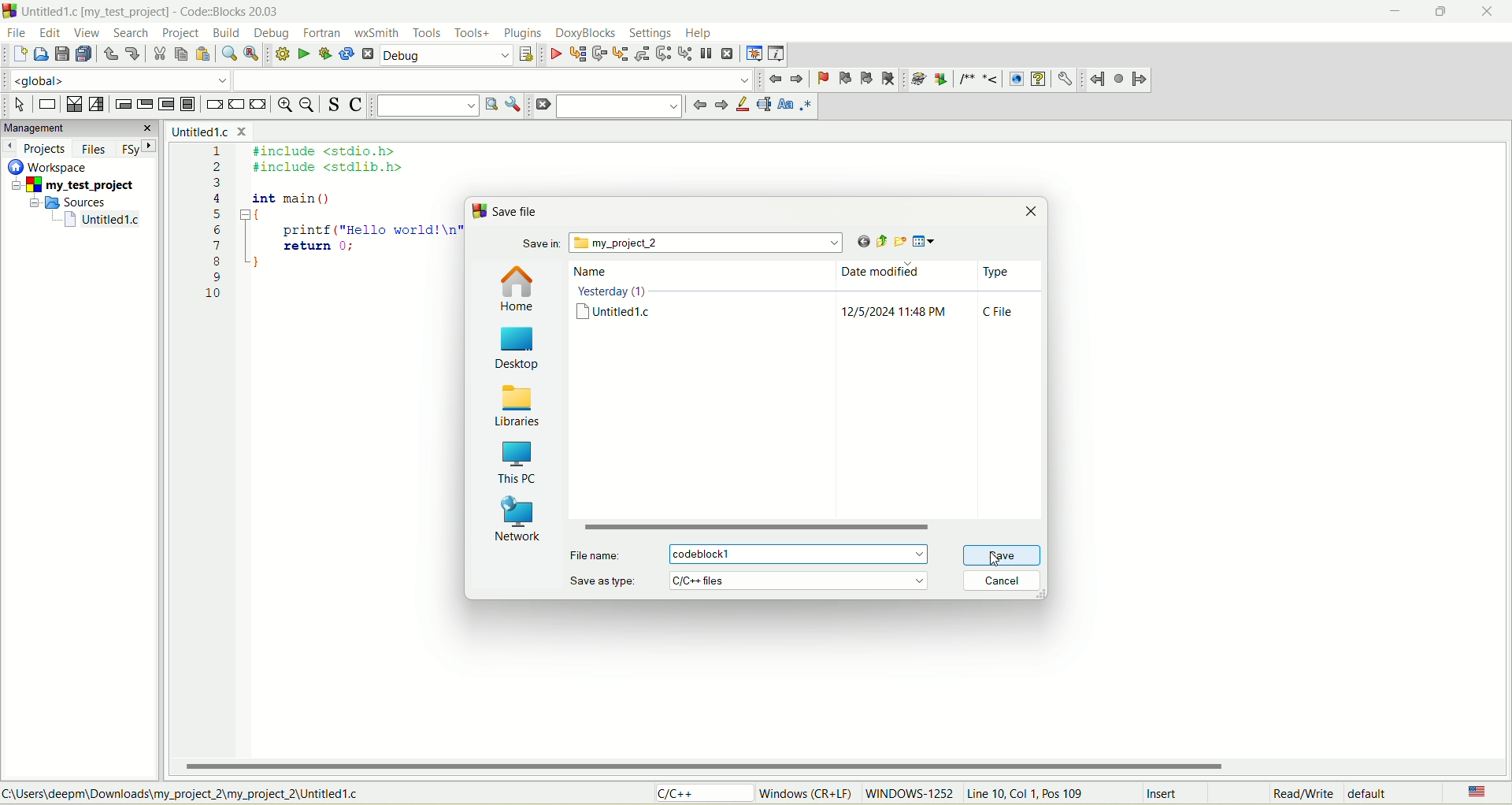  I want to click on break debugger, so click(706, 54).